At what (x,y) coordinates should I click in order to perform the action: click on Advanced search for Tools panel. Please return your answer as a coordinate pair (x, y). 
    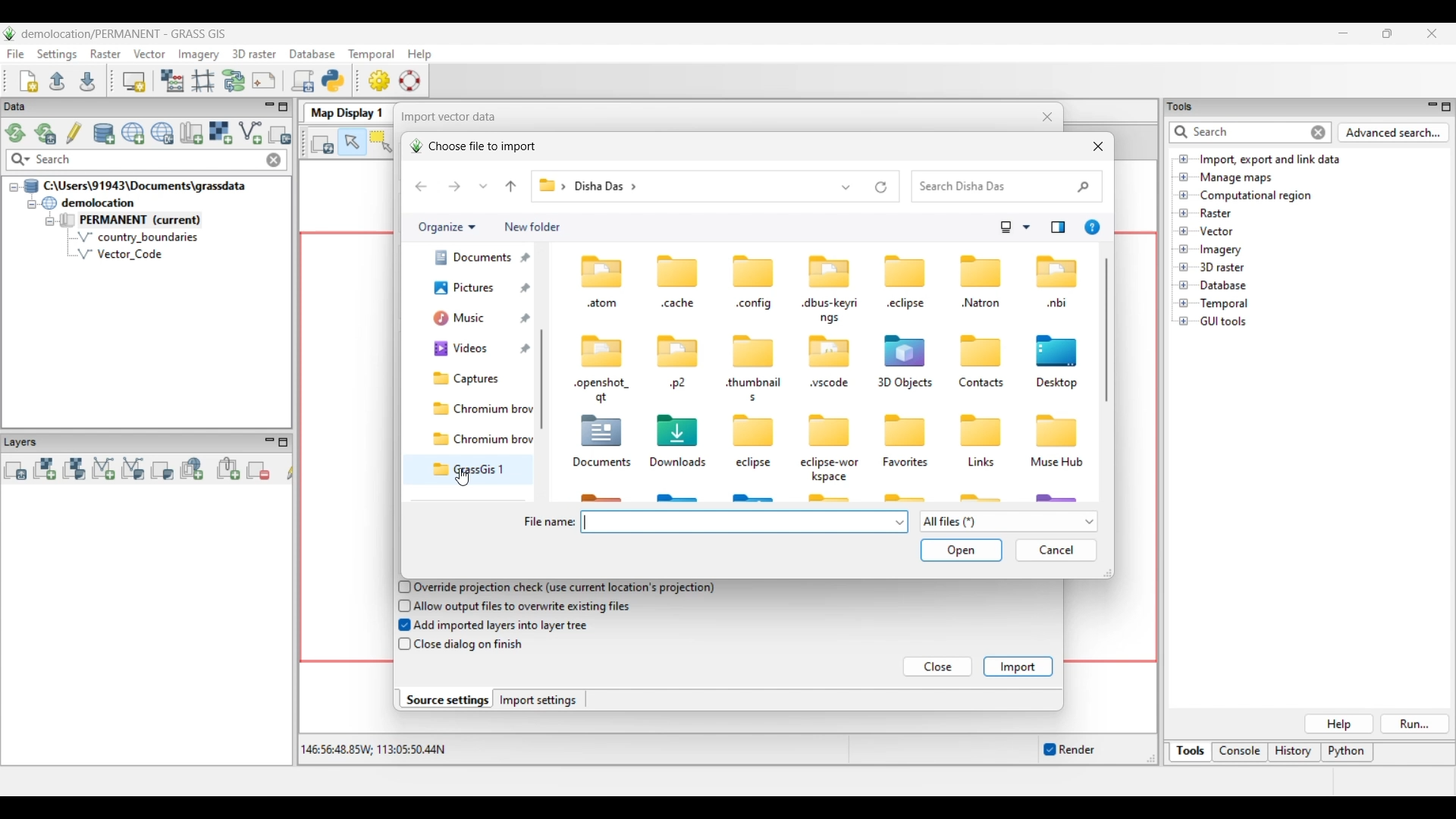
    Looking at the image, I should click on (1394, 133).